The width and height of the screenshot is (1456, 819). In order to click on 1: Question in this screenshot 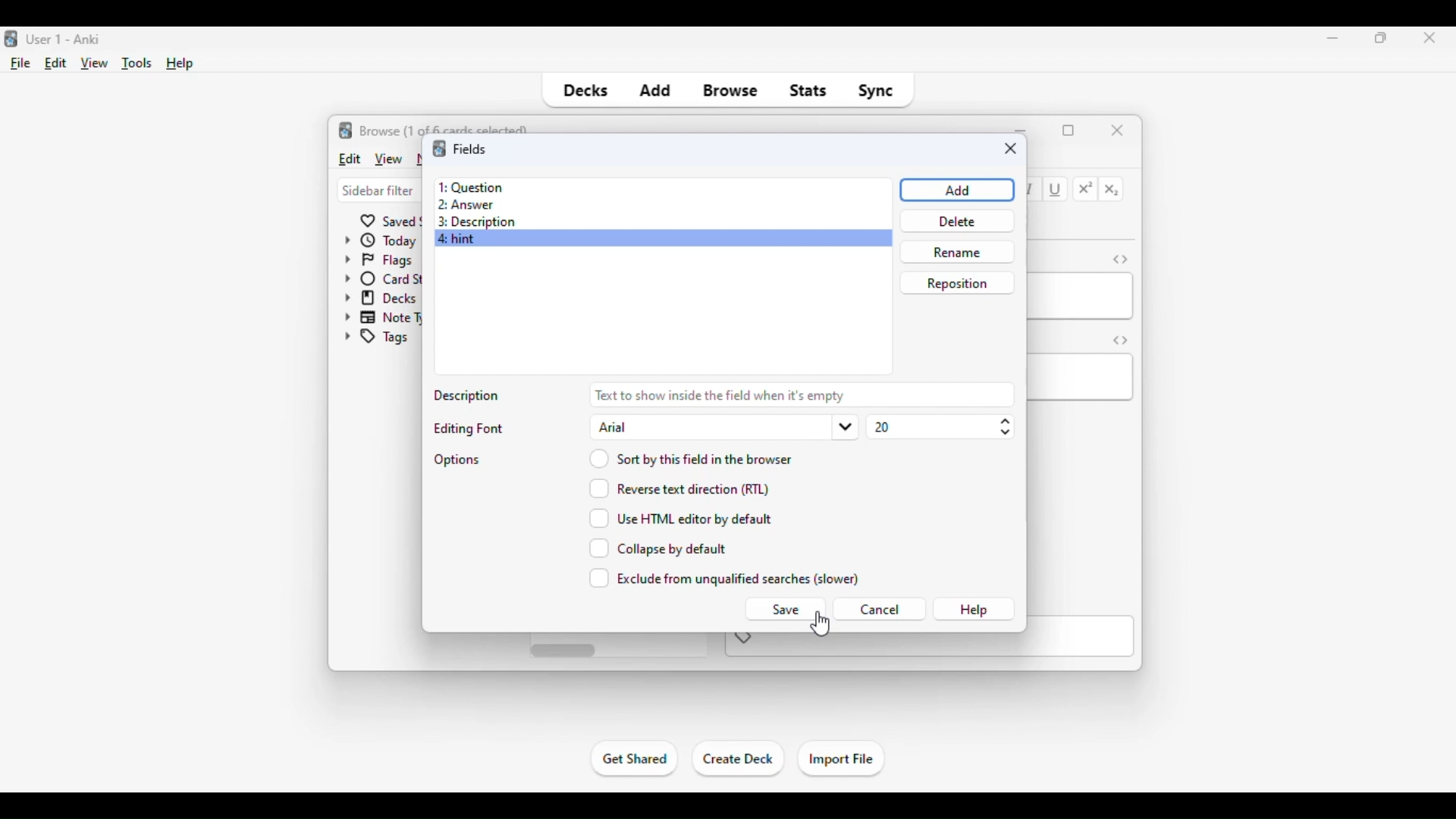, I will do `click(470, 187)`.